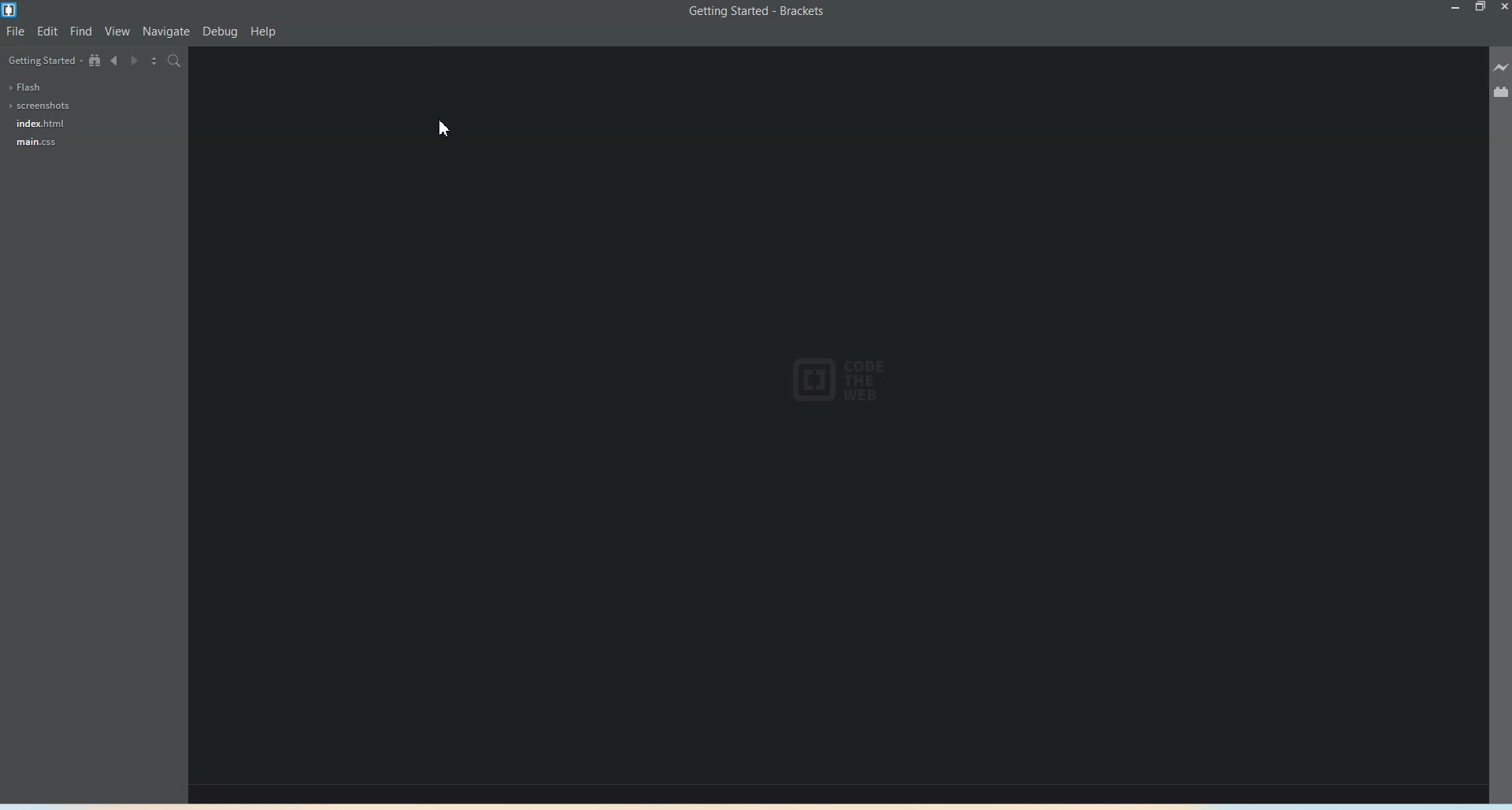  What do you see at coordinates (754, 10) in the screenshot?
I see `GettingStarted-brackets` at bounding box center [754, 10].